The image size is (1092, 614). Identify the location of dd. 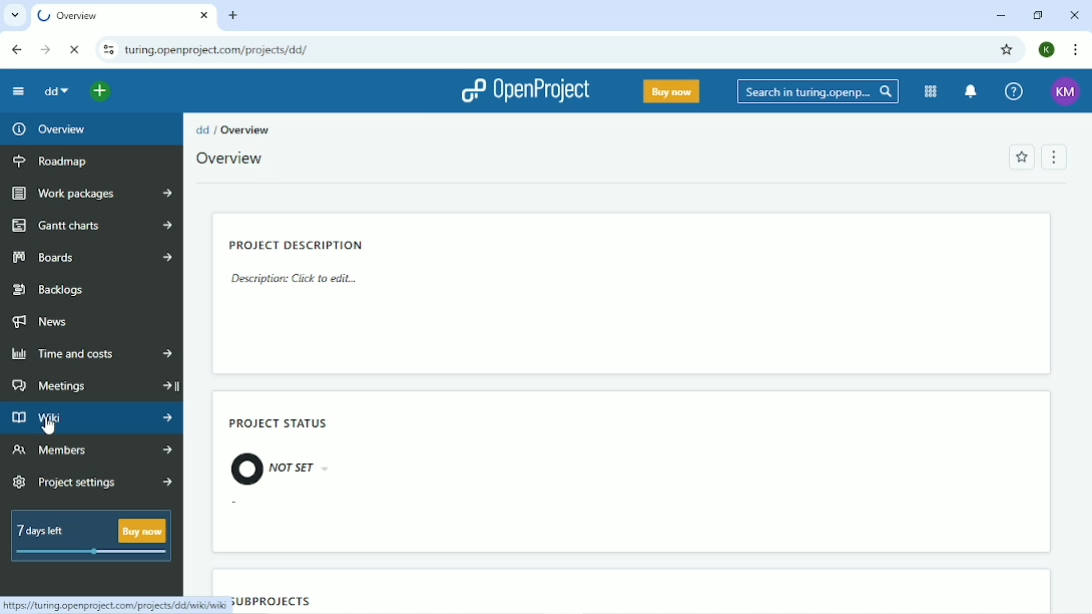
(203, 130).